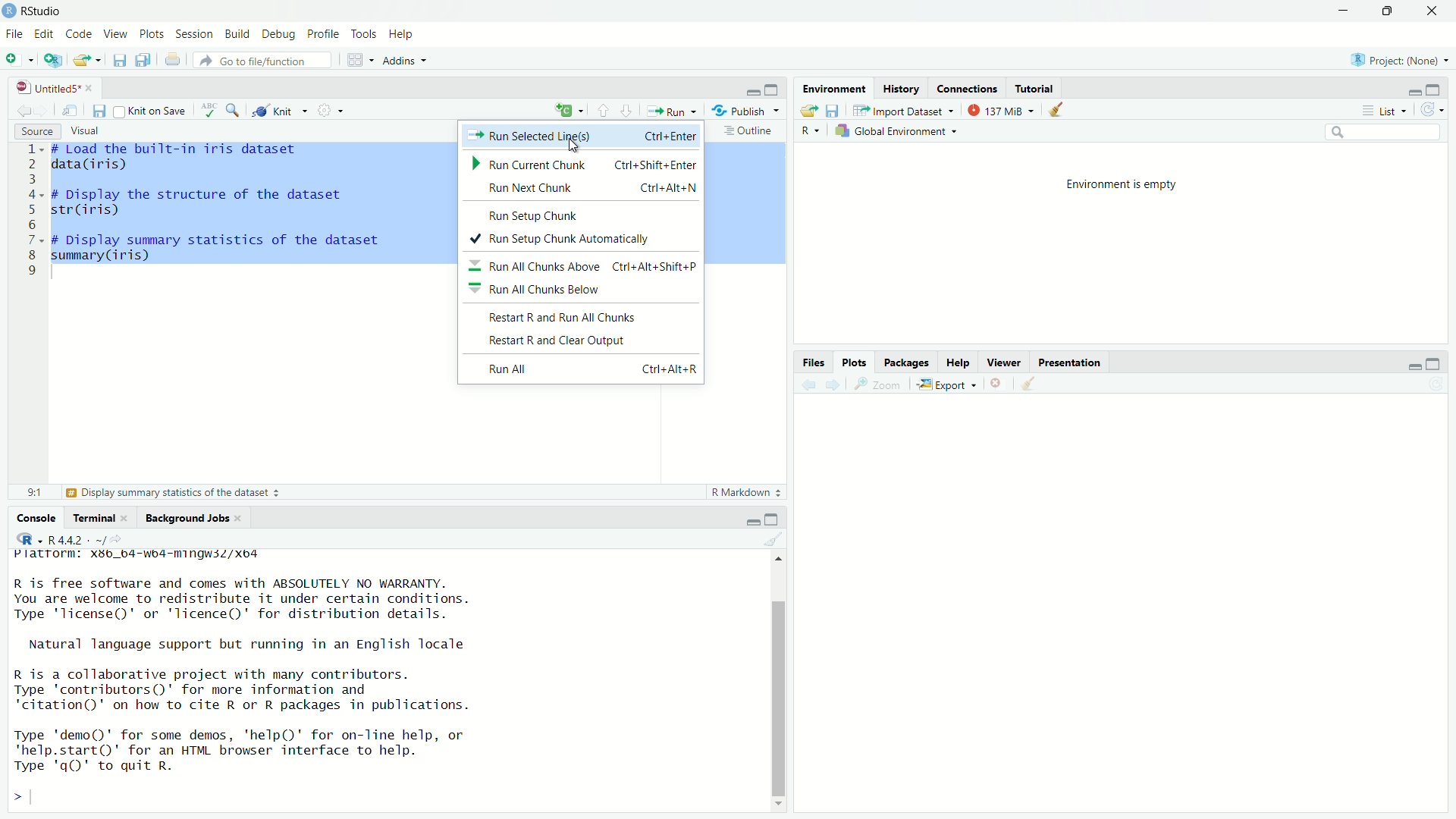 This screenshot has width=1456, height=819. Describe the element at coordinates (584, 164) in the screenshot. I see `Run Current Chunk   Ctrl+Shift+Enter` at that location.